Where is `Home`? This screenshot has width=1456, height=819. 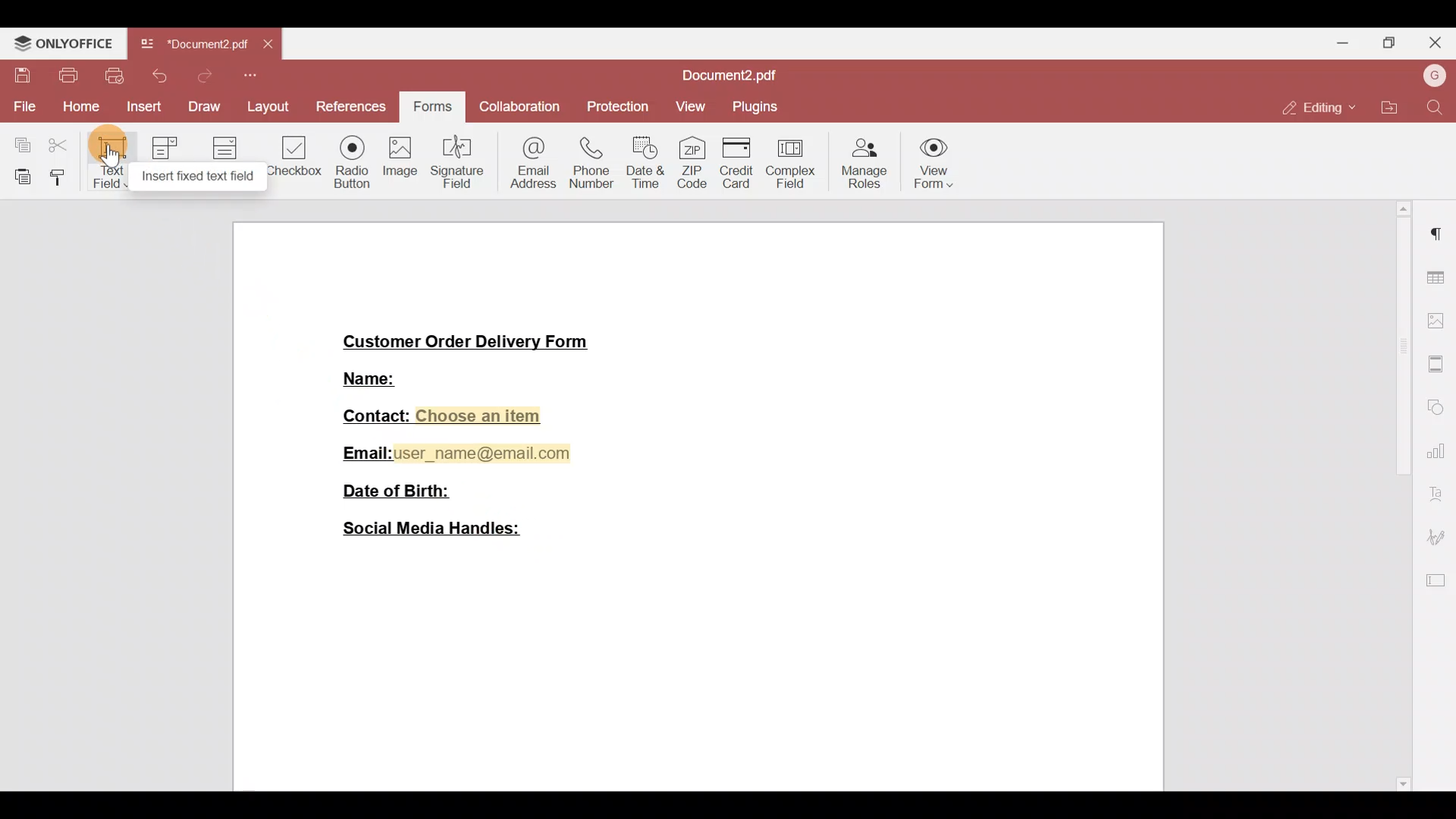 Home is located at coordinates (79, 108).